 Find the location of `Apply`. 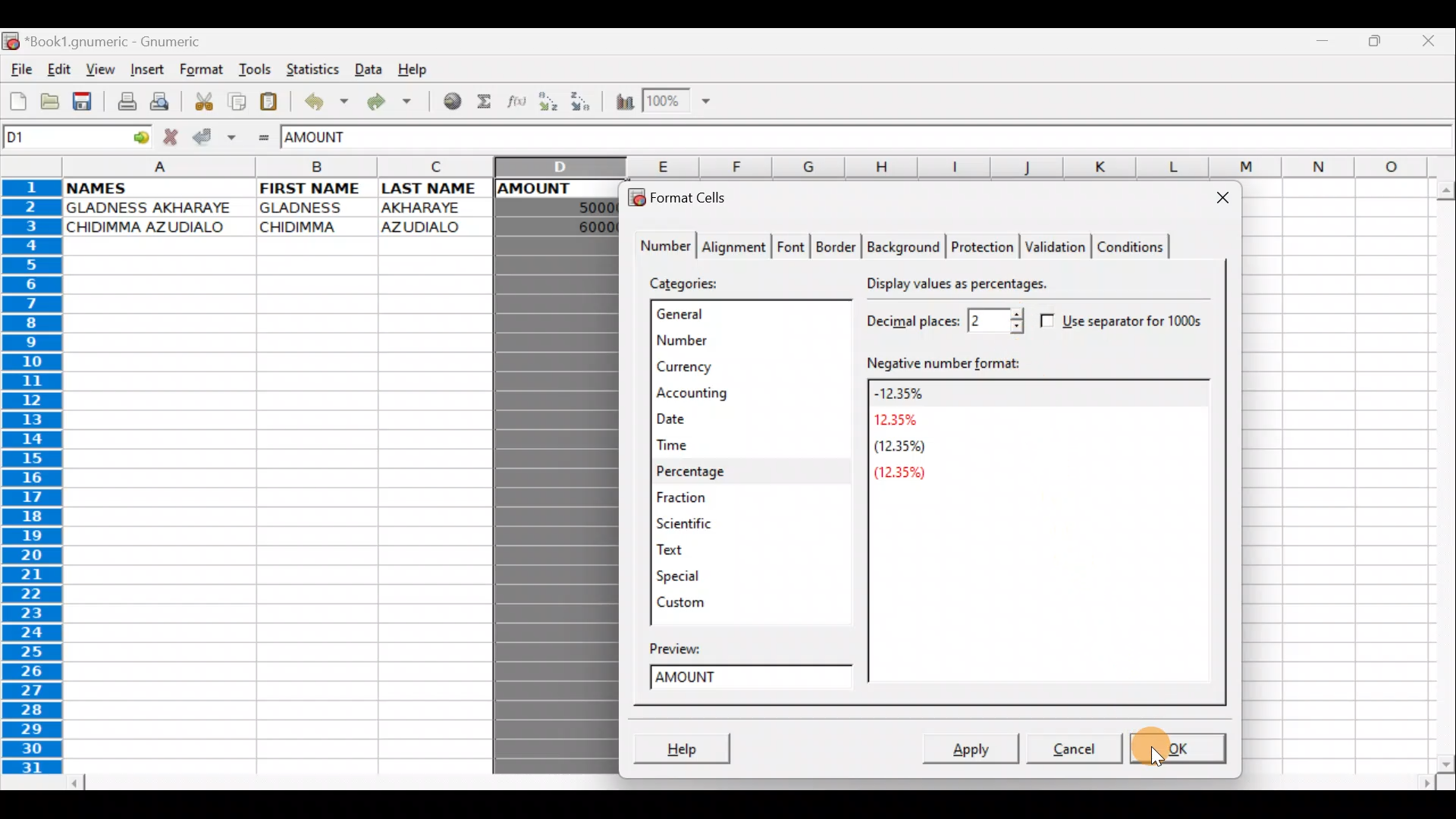

Apply is located at coordinates (973, 745).